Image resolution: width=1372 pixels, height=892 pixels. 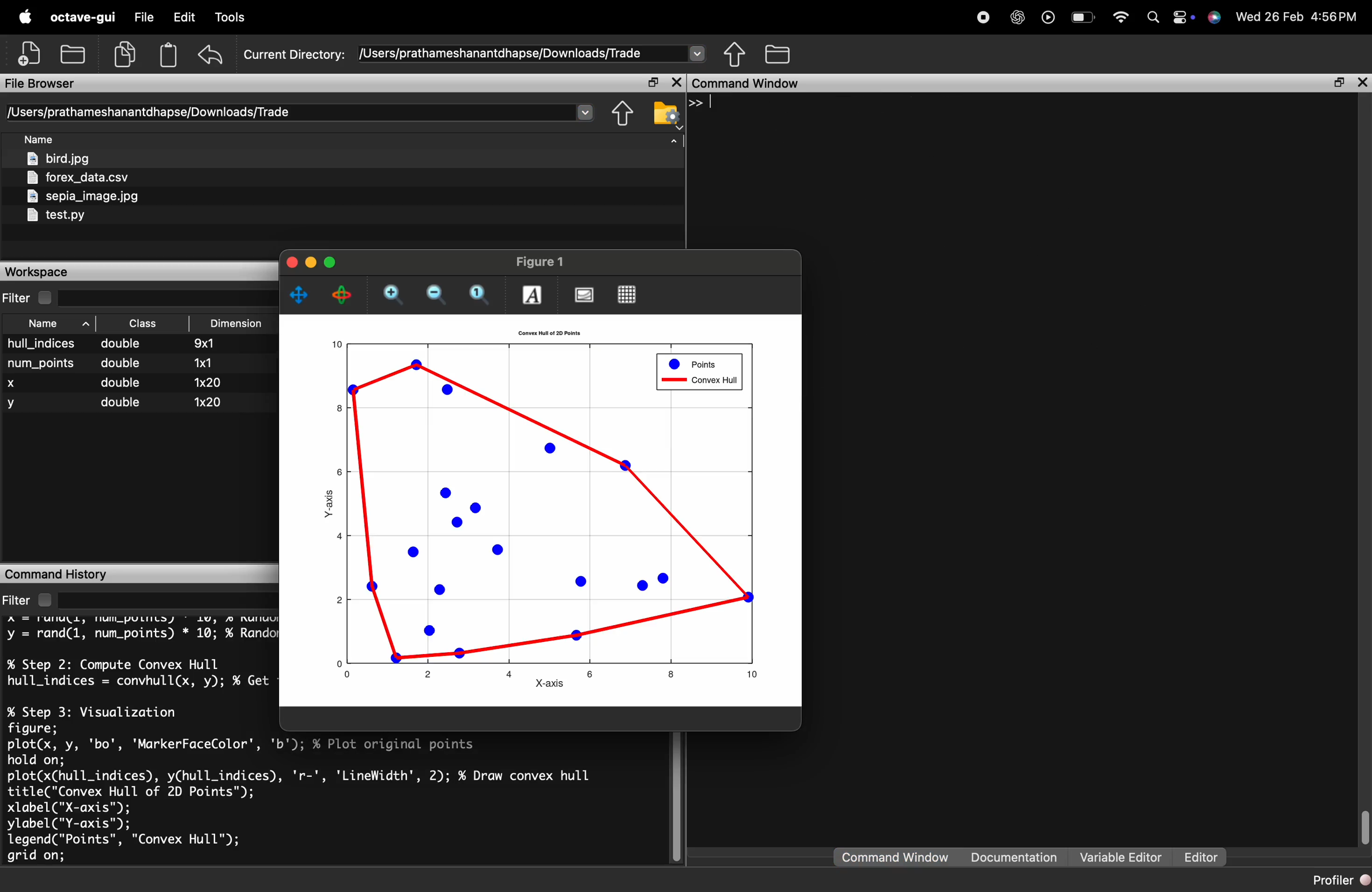 What do you see at coordinates (1016, 858) in the screenshot?
I see `Documentation` at bounding box center [1016, 858].